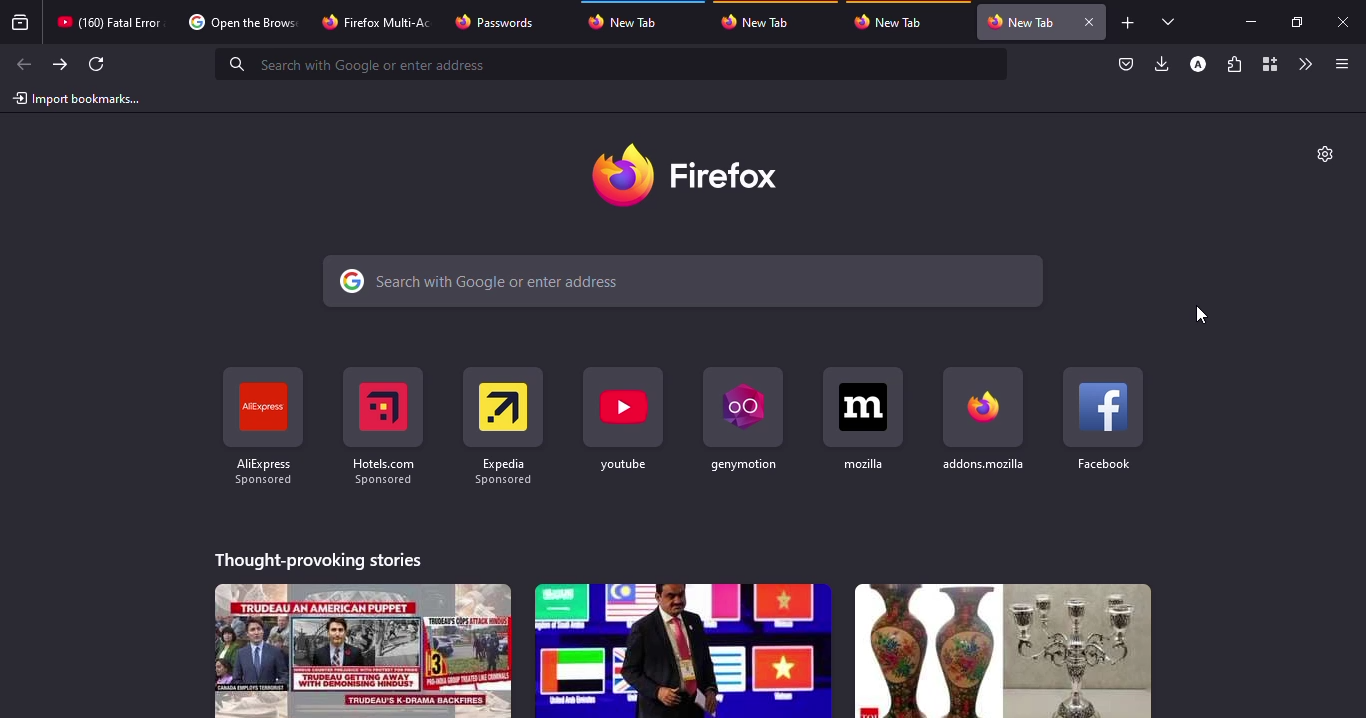  What do you see at coordinates (1102, 418) in the screenshot?
I see `shortcuts` at bounding box center [1102, 418].